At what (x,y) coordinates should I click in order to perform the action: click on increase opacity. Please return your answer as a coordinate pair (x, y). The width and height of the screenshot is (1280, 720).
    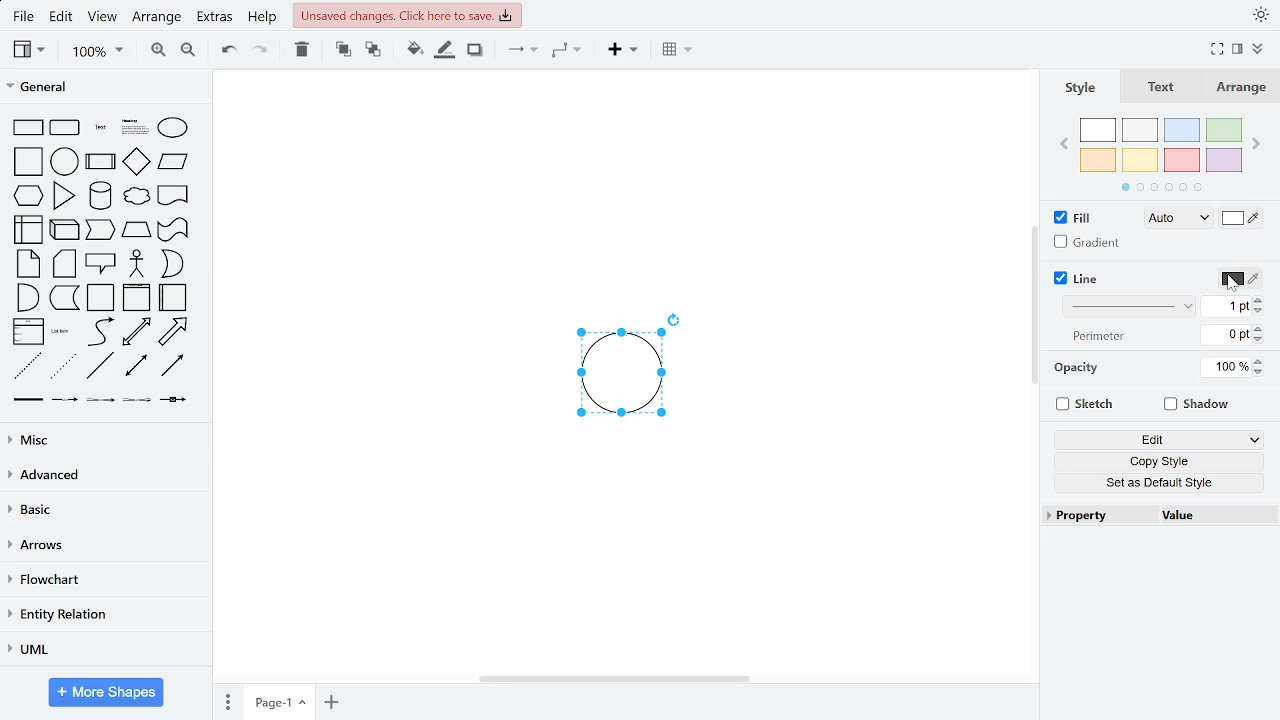
    Looking at the image, I should click on (1261, 360).